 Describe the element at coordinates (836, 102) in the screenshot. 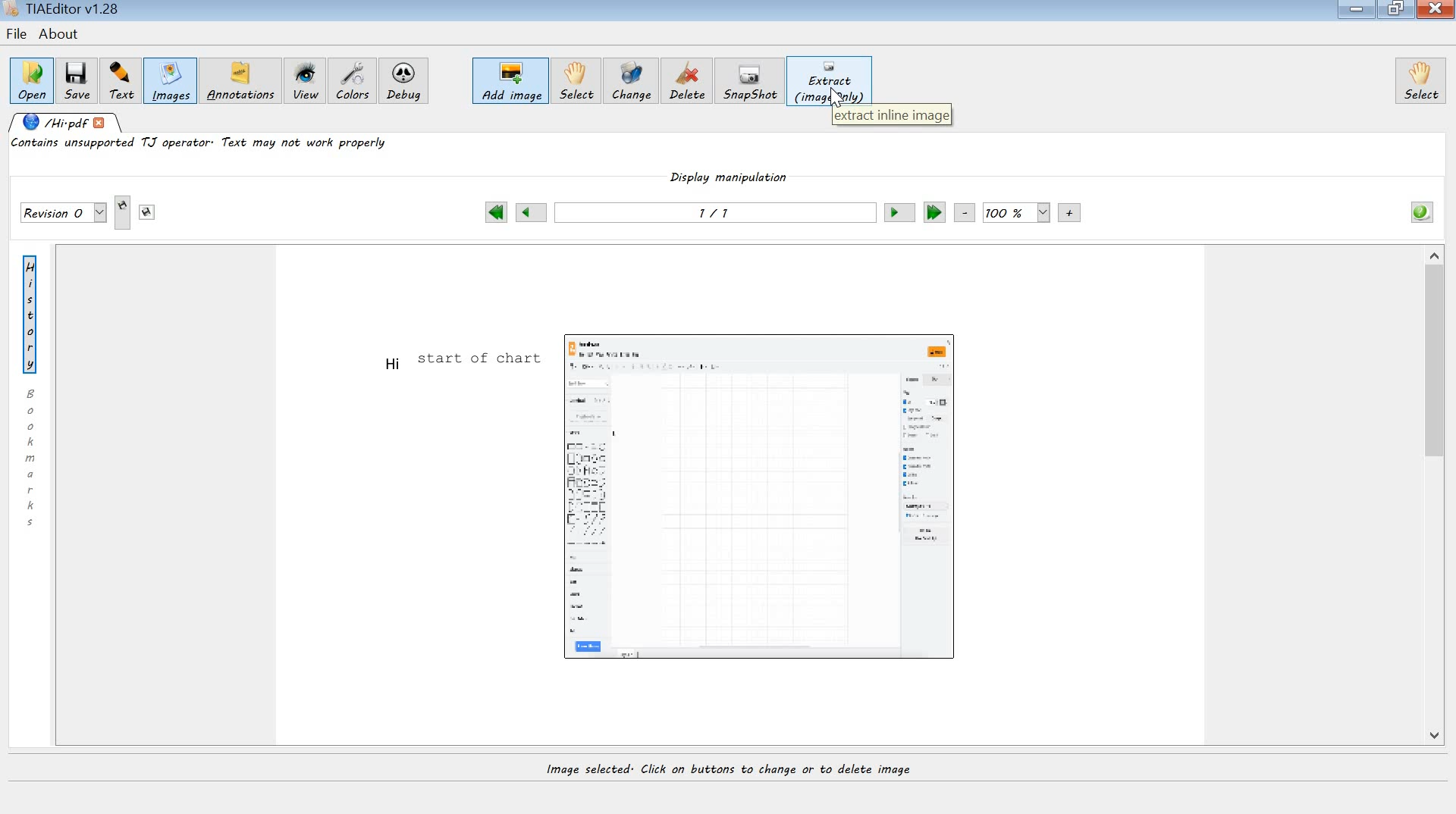

I see `CURSOR` at that location.